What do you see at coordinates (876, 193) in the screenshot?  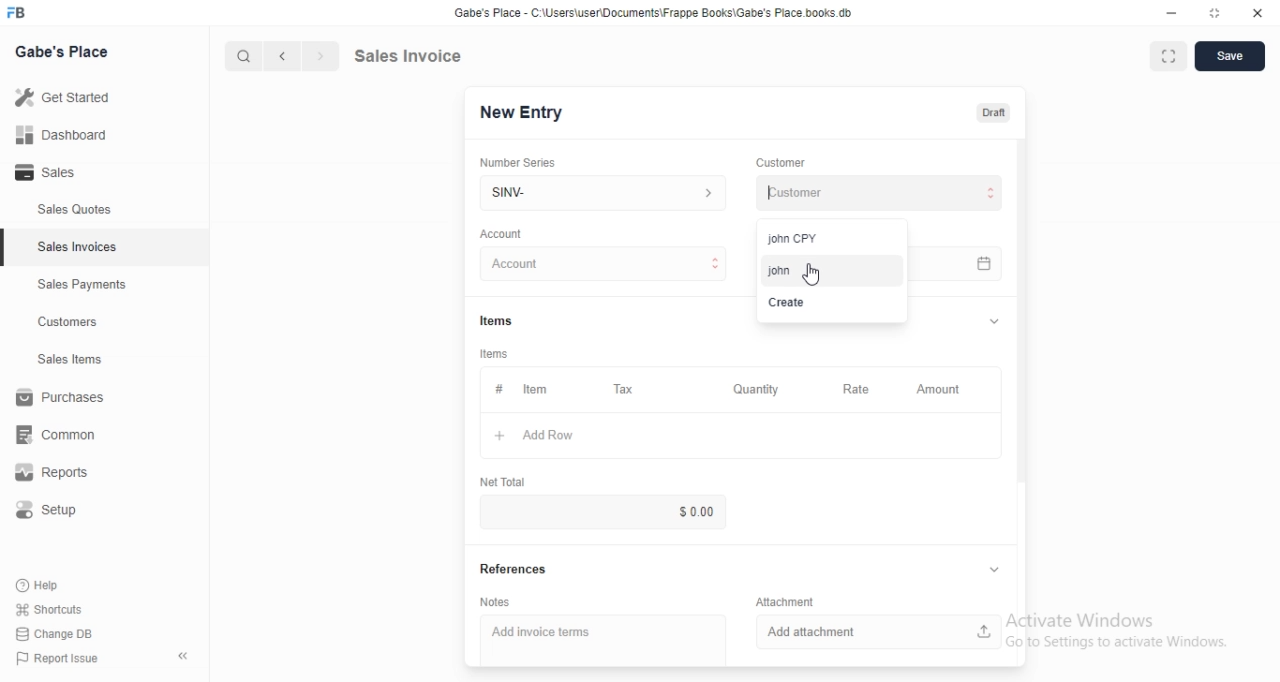 I see `Customer` at bounding box center [876, 193].